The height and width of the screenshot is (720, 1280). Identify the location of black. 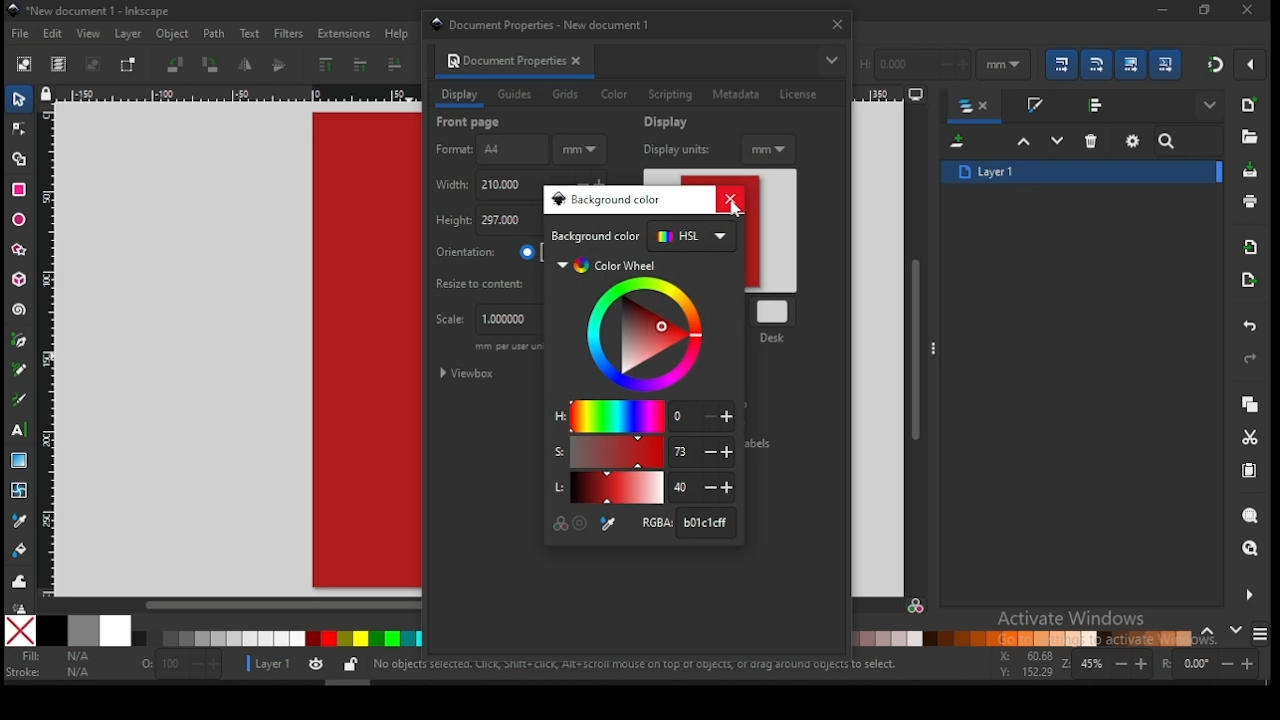
(52, 631).